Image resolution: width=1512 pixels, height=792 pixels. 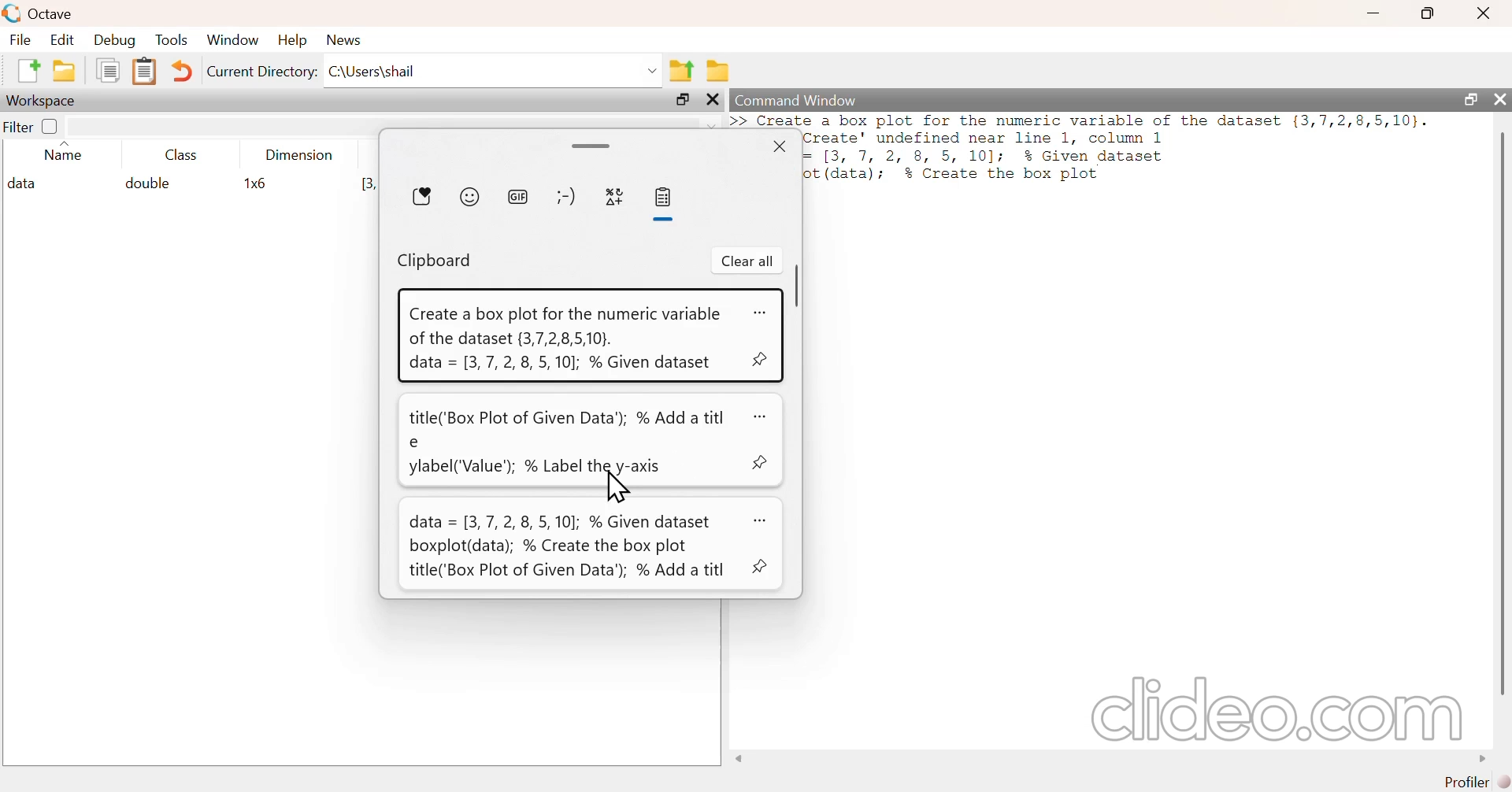 I want to click on symbols, so click(x=612, y=198).